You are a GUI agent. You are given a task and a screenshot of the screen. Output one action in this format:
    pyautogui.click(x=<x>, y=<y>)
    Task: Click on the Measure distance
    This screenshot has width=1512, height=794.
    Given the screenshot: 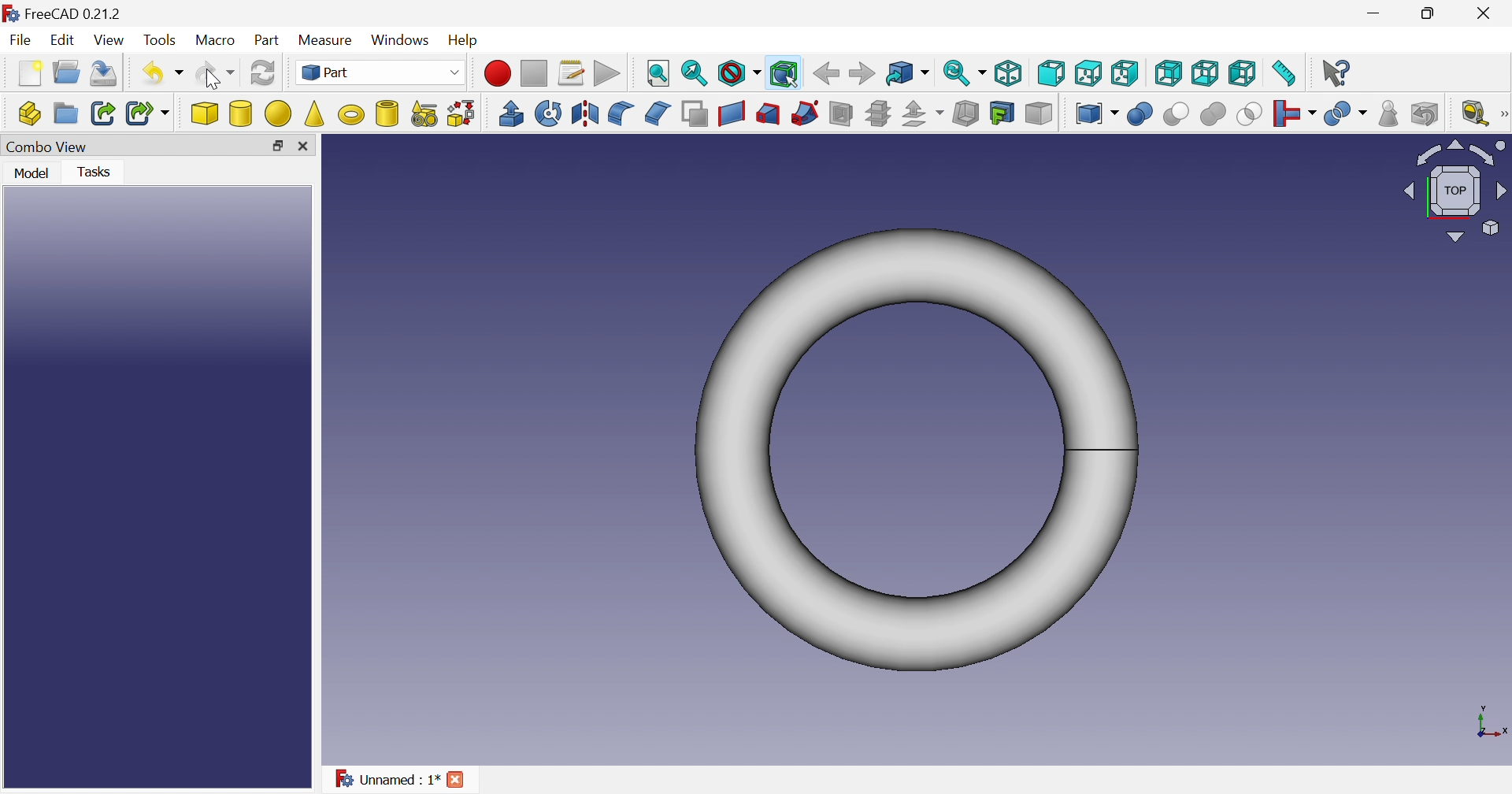 What is the action you would take?
    pyautogui.click(x=1285, y=73)
    